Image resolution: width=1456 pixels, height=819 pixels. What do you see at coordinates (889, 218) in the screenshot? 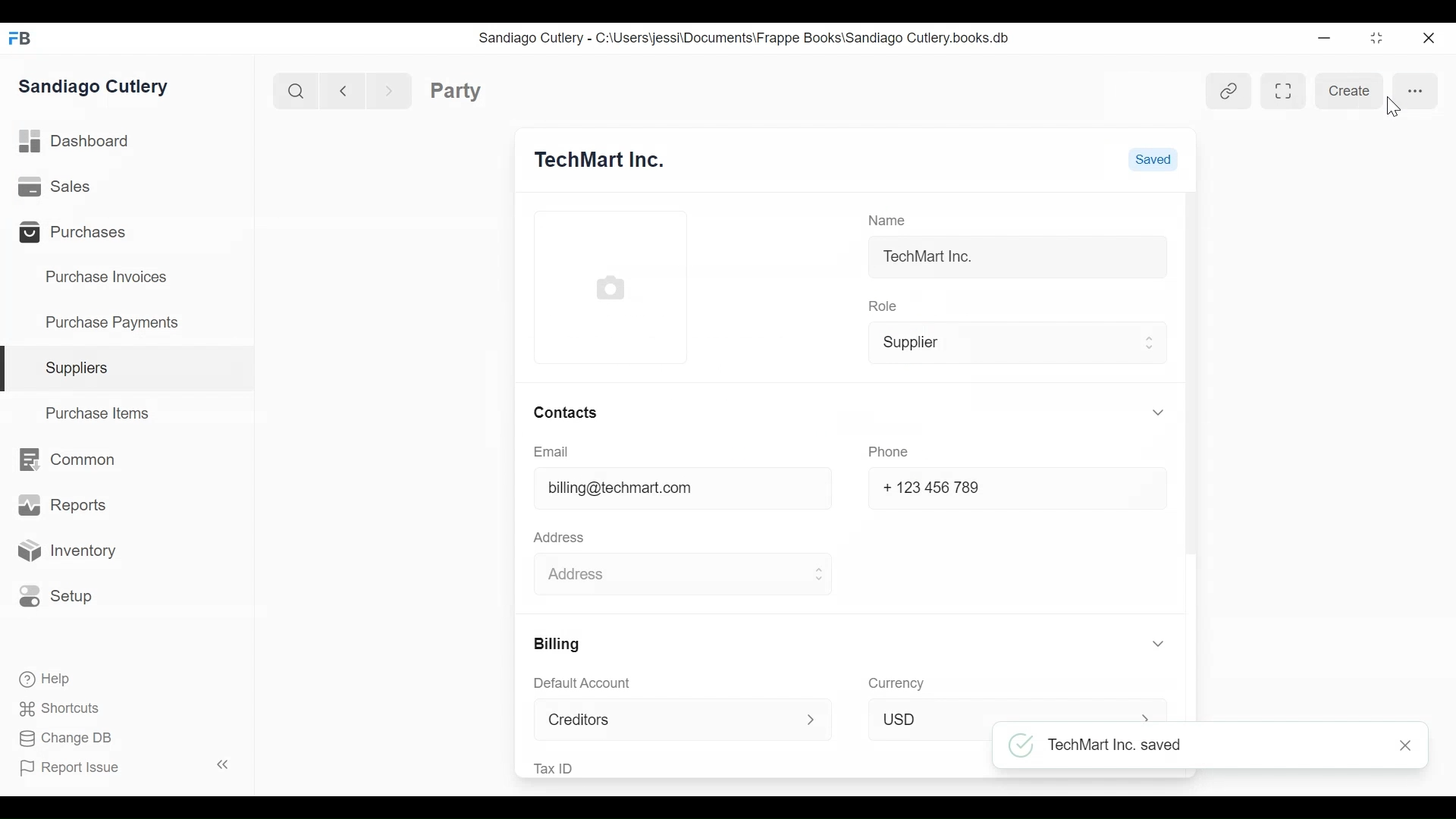
I see `Name` at bounding box center [889, 218].